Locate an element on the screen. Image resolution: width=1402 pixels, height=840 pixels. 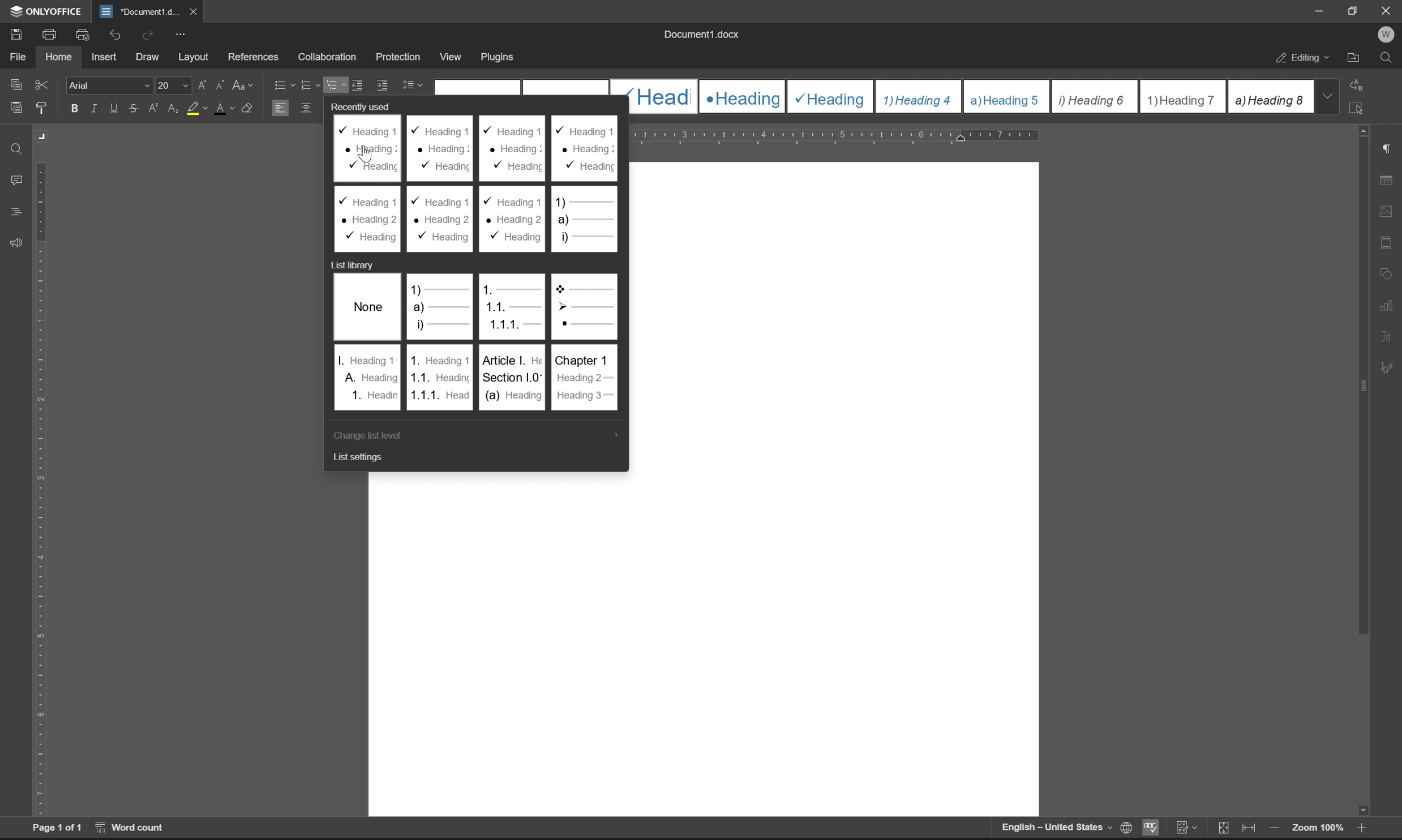
fit to width is located at coordinates (1249, 828).